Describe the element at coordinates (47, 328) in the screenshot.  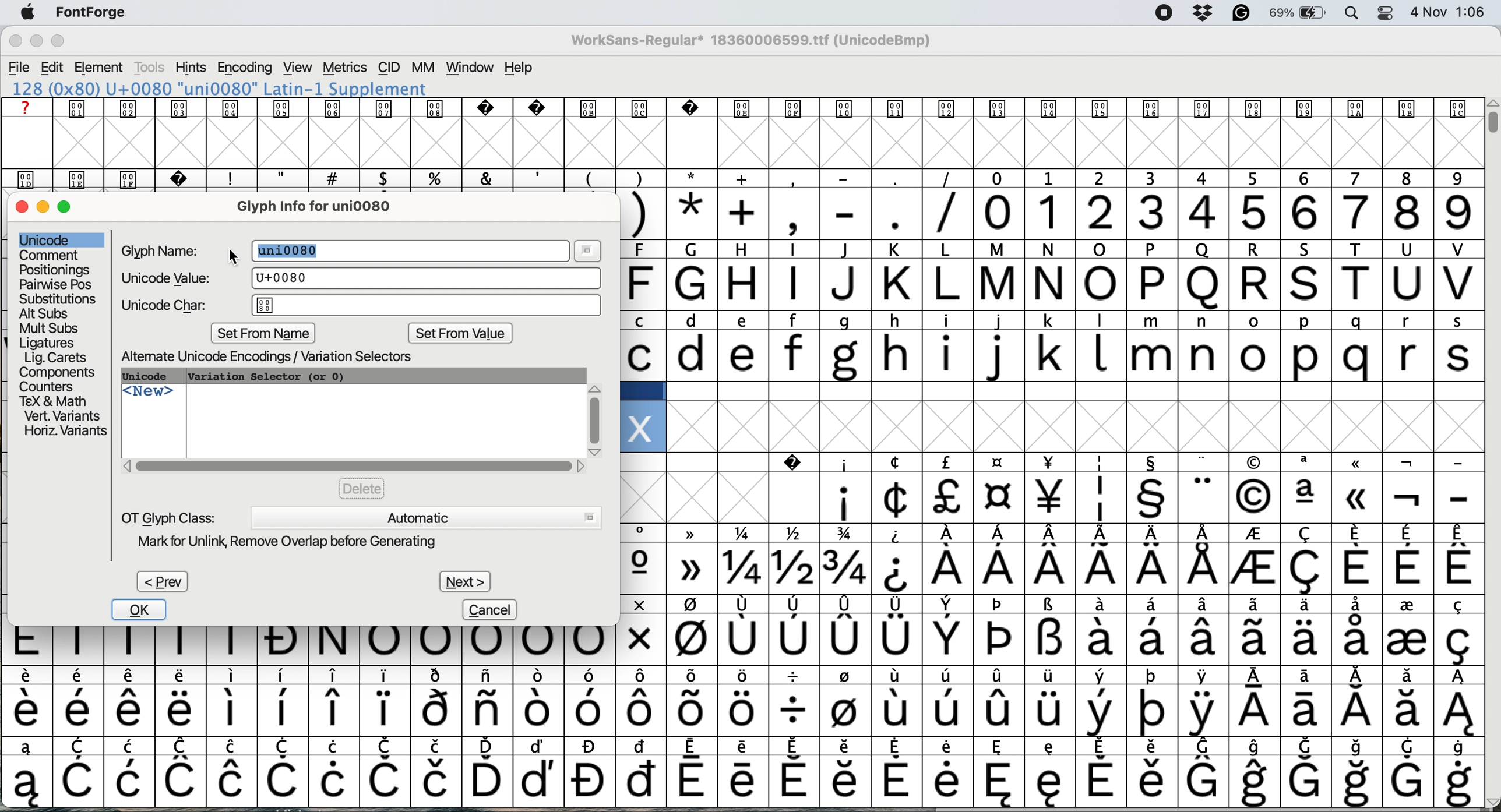
I see `mult subs` at that location.